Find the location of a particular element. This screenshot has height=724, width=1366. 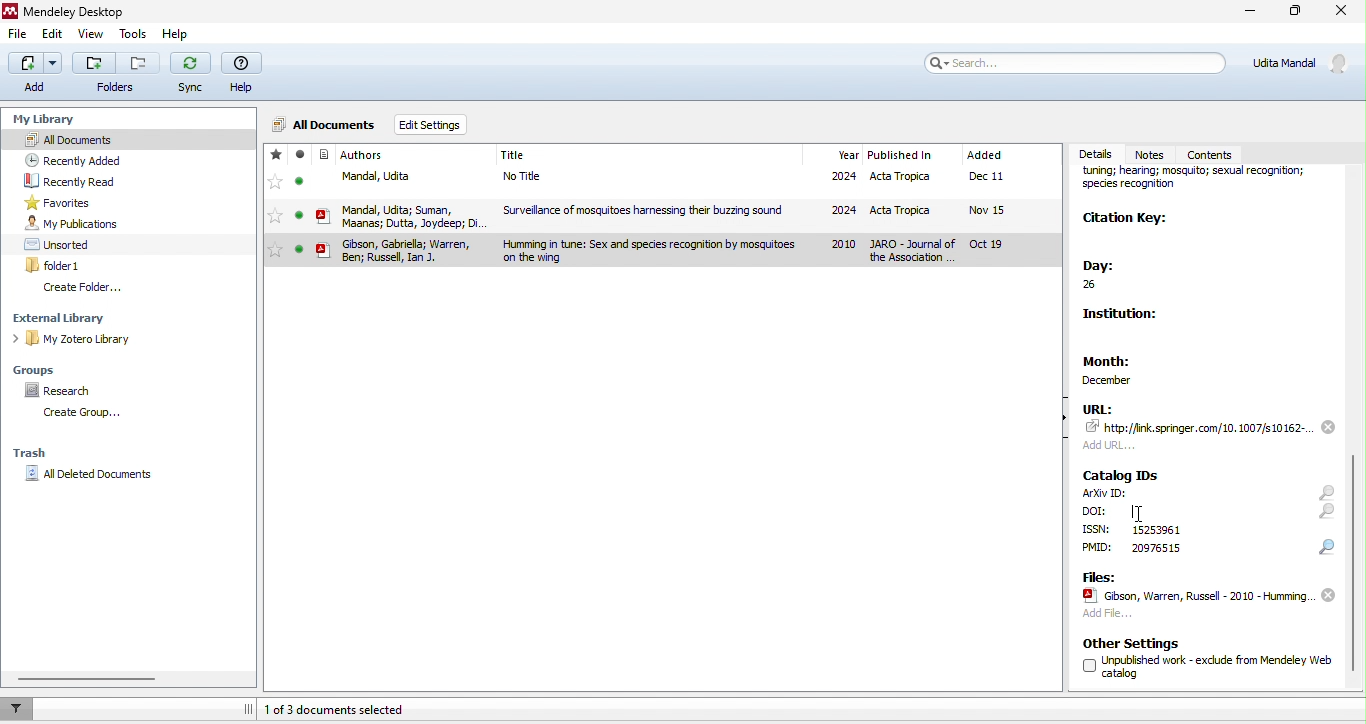

text is located at coordinates (1098, 548).